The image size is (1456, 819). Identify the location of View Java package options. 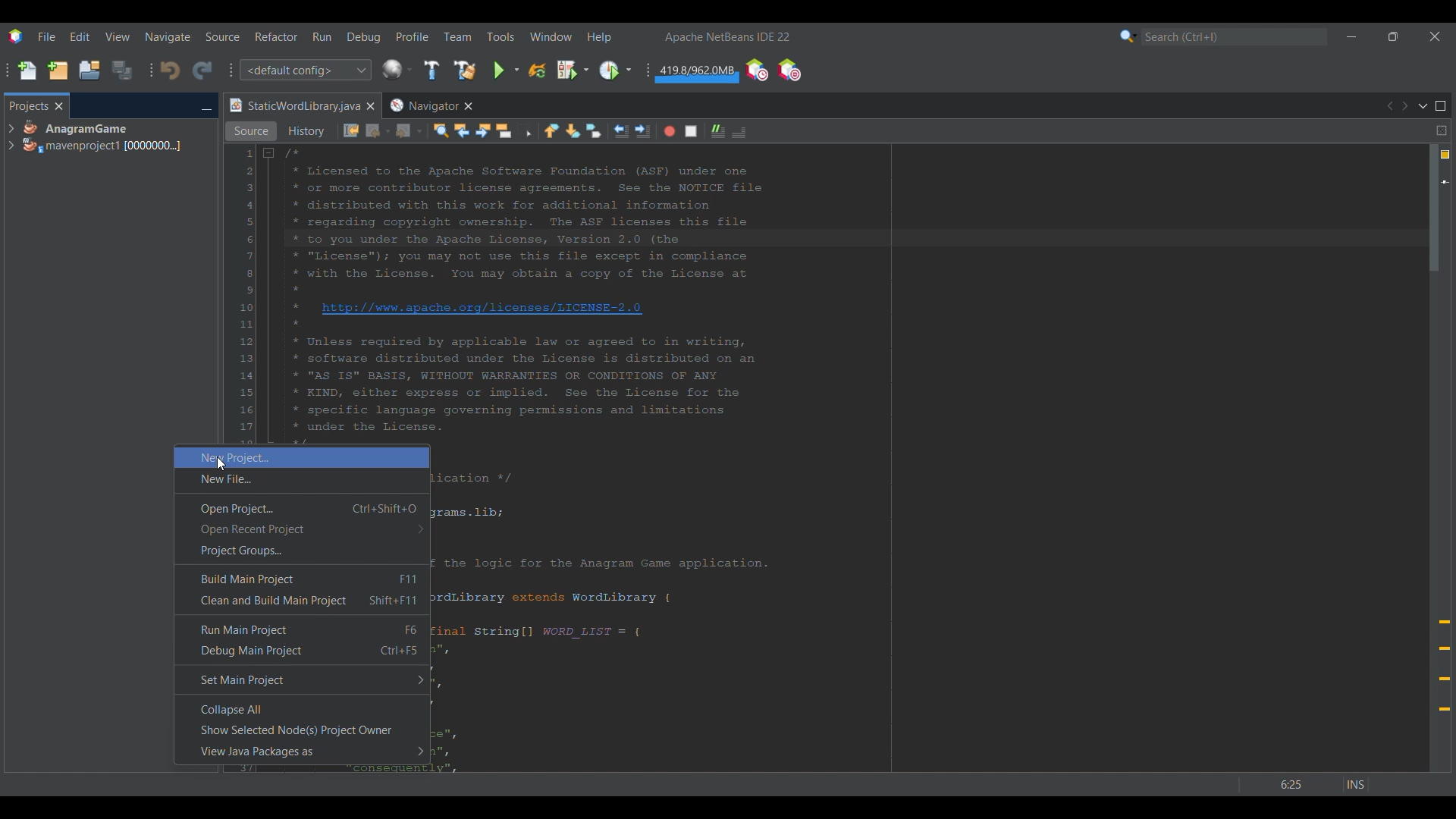
(303, 752).